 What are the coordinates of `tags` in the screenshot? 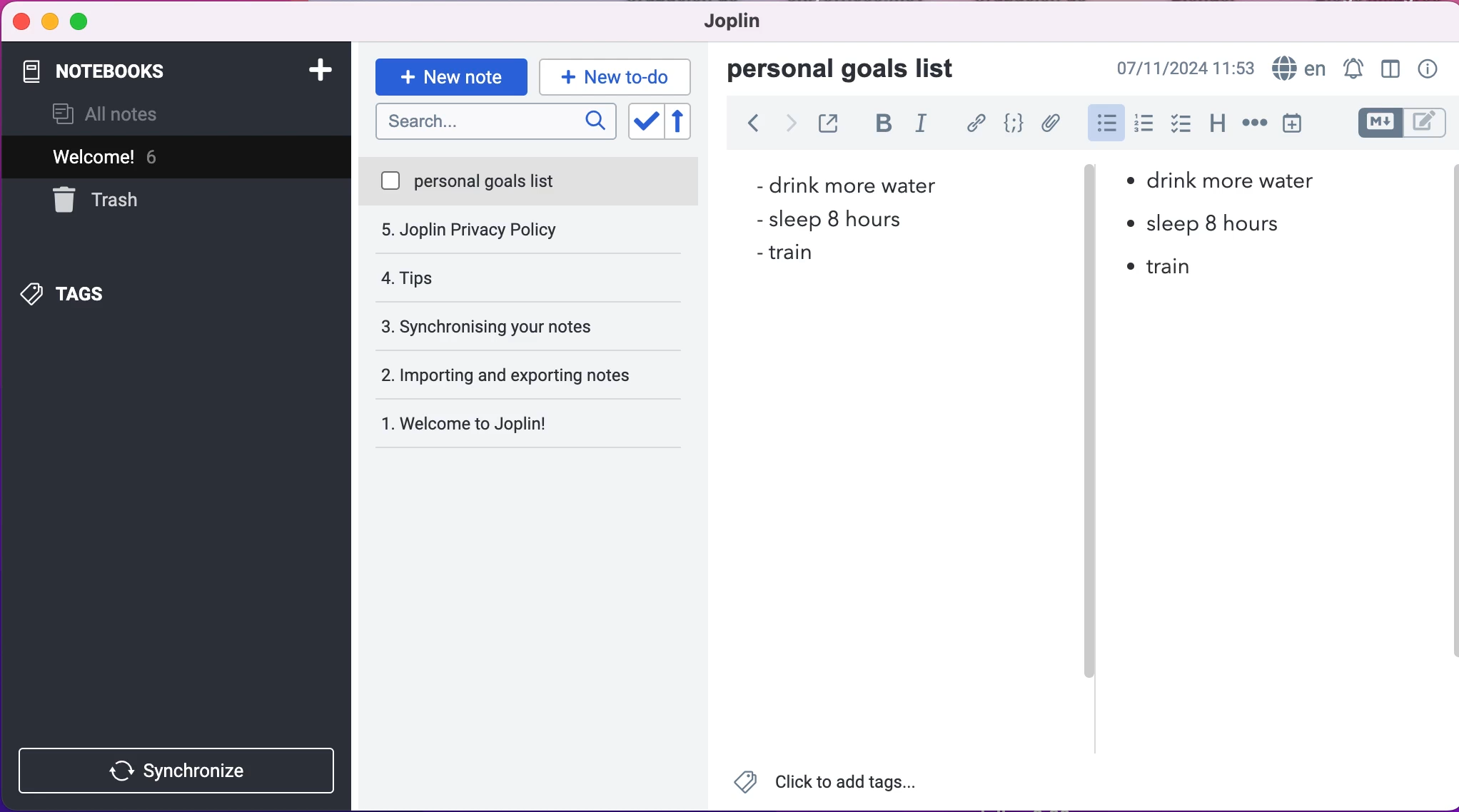 It's located at (92, 291).